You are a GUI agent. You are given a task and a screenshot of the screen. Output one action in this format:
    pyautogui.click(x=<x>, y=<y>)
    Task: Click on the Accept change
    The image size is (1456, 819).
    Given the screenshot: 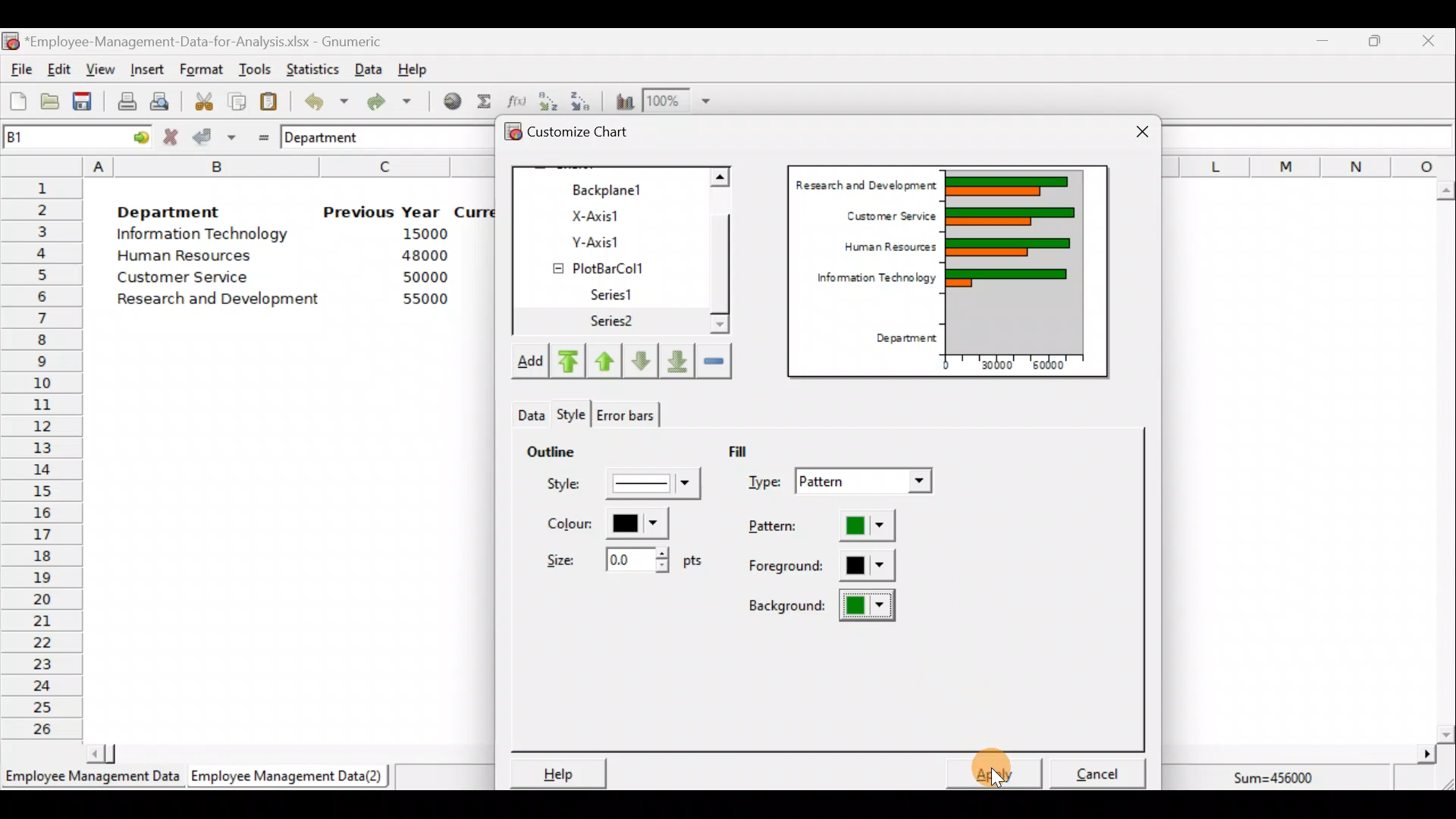 What is the action you would take?
    pyautogui.click(x=215, y=136)
    